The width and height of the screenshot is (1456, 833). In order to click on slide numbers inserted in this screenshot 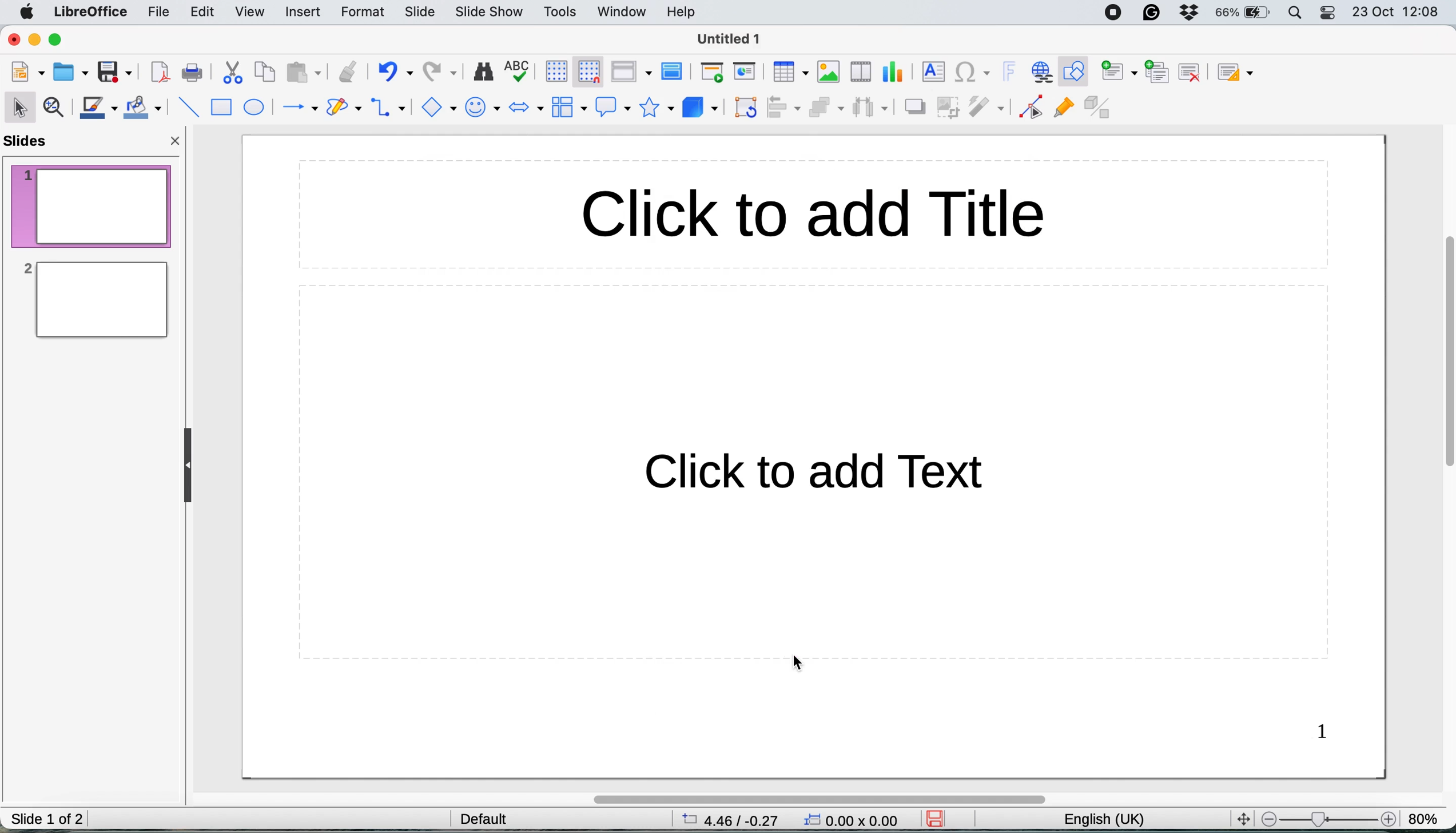, I will do `click(1323, 733)`.